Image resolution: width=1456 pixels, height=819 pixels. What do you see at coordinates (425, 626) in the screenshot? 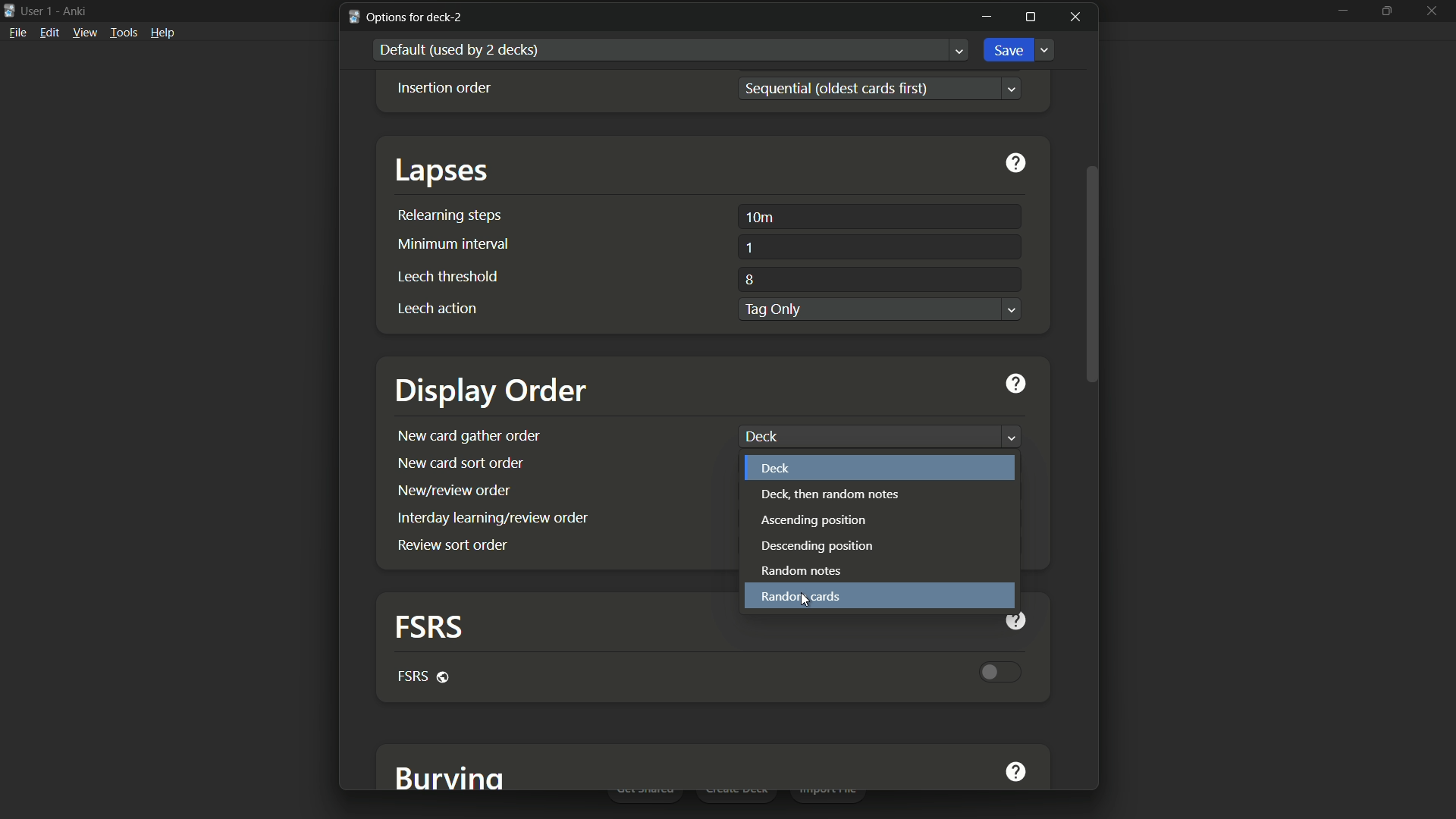
I see `fsrs` at bounding box center [425, 626].